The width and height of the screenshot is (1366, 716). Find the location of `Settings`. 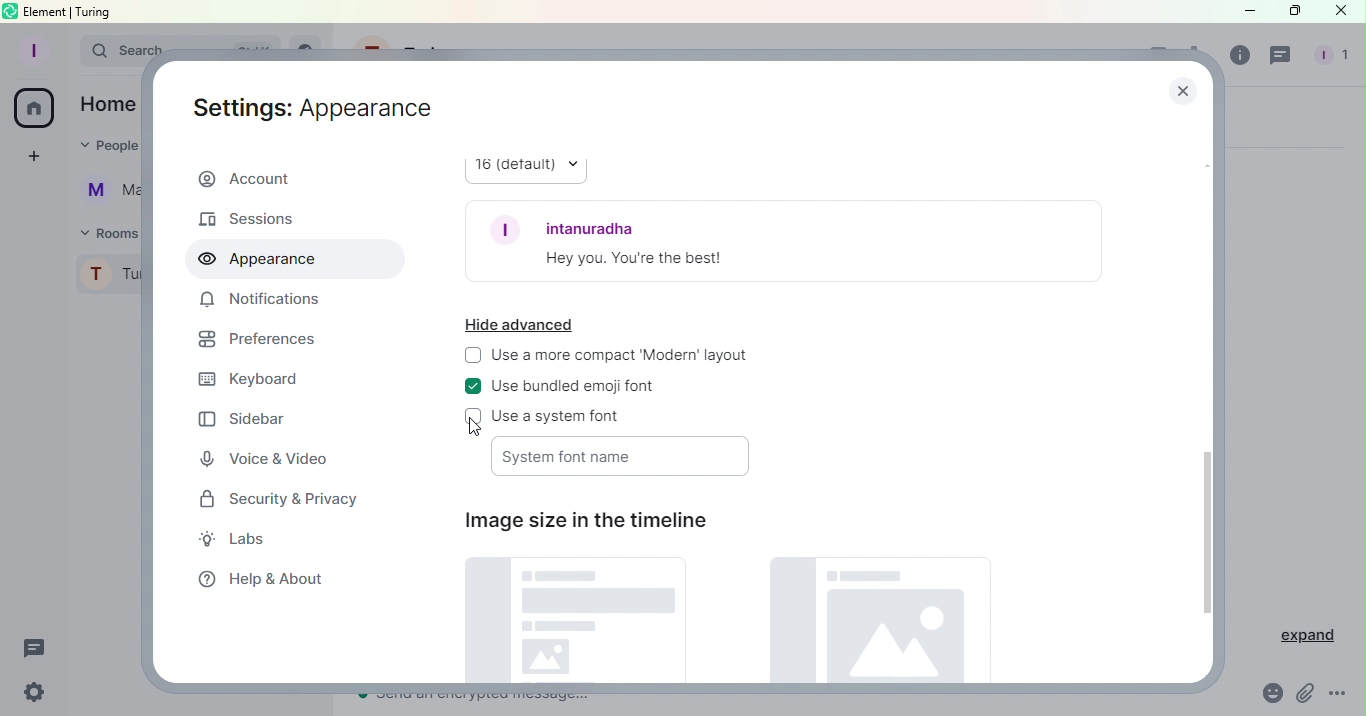

Settings is located at coordinates (35, 690).